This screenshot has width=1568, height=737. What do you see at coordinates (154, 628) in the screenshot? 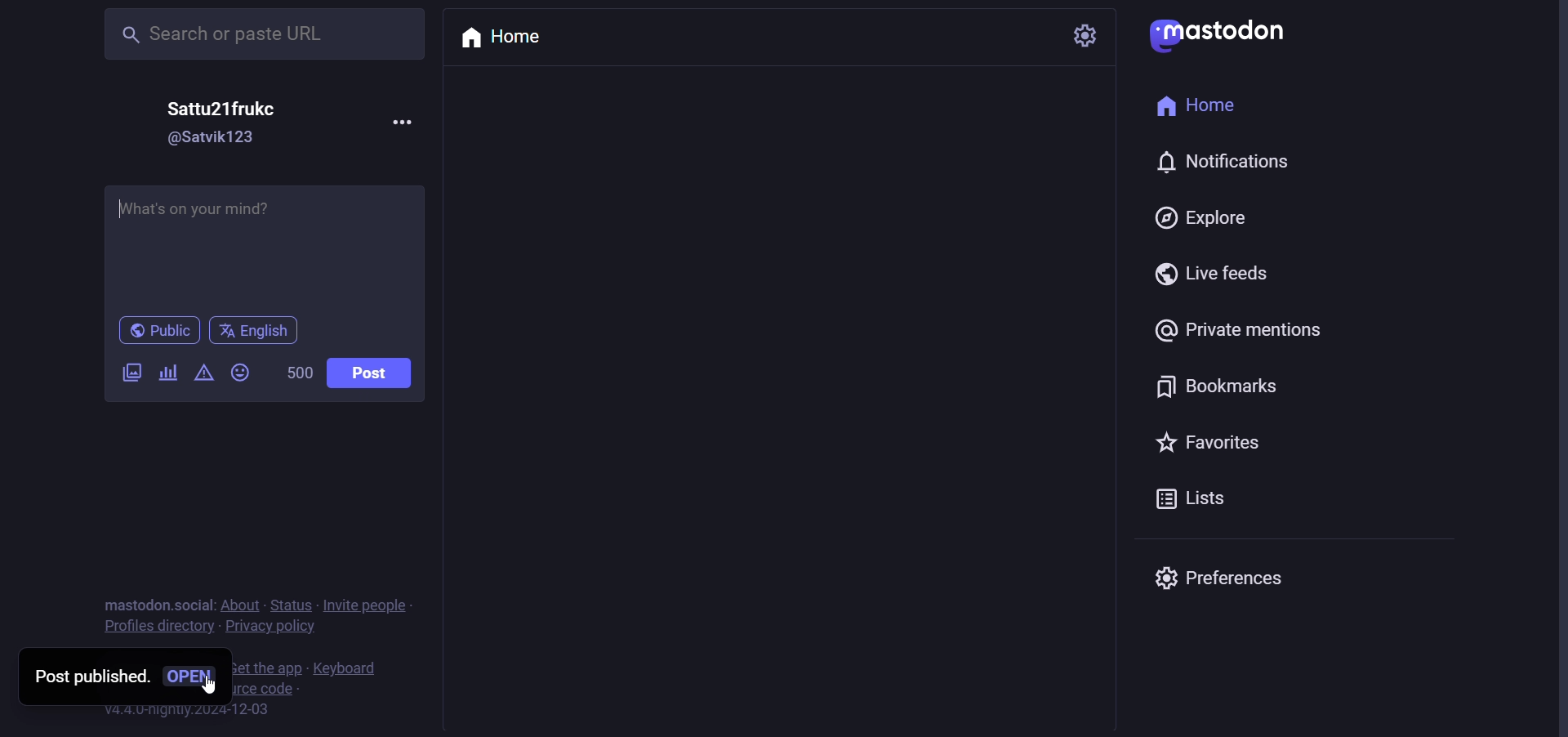
I see `profiles` at bounding box center [154, 628].